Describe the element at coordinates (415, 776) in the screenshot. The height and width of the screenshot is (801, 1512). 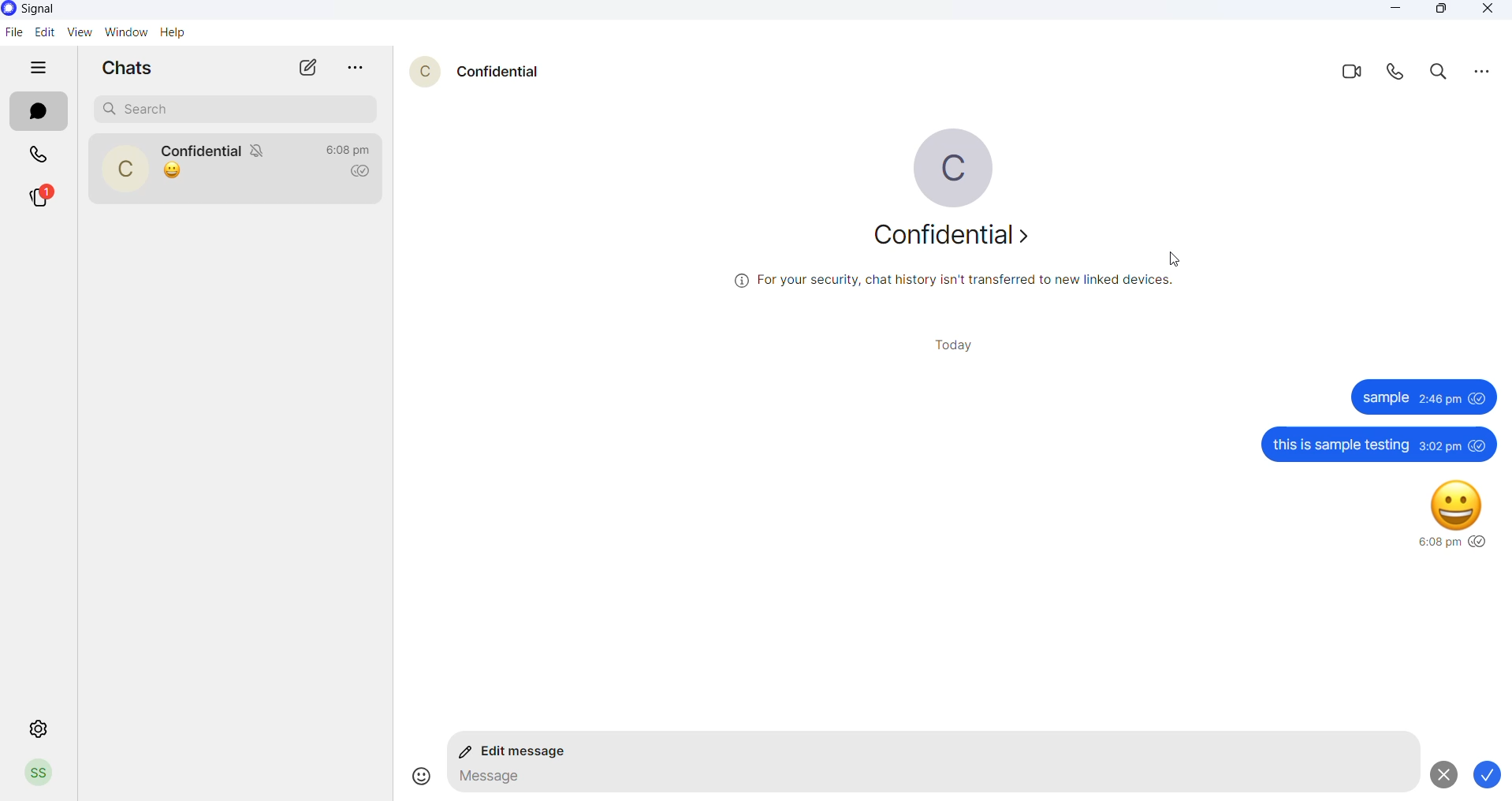
I see `emojis` at that location.